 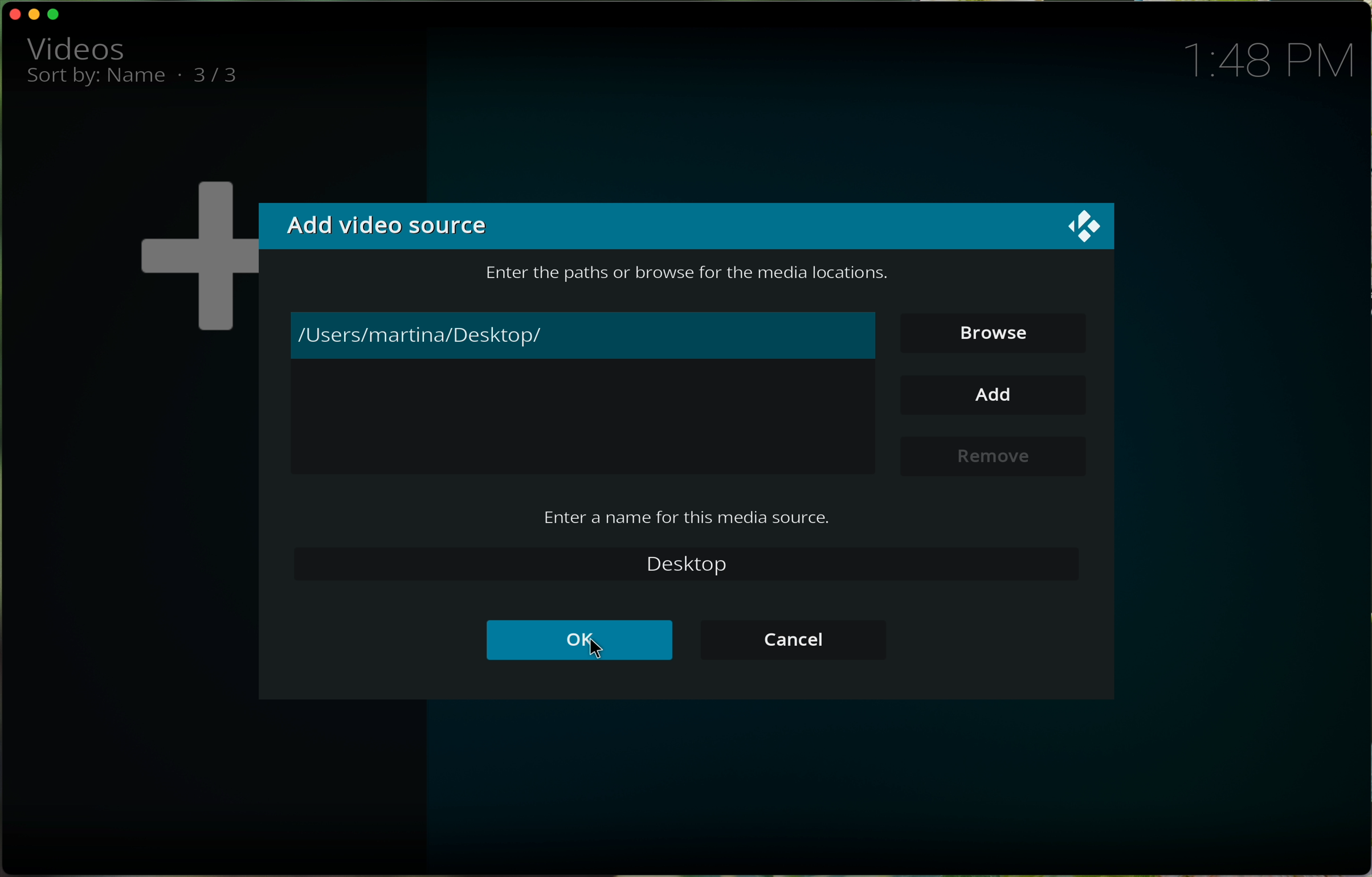 I want to click on cursor, so click(x=596, y=651).